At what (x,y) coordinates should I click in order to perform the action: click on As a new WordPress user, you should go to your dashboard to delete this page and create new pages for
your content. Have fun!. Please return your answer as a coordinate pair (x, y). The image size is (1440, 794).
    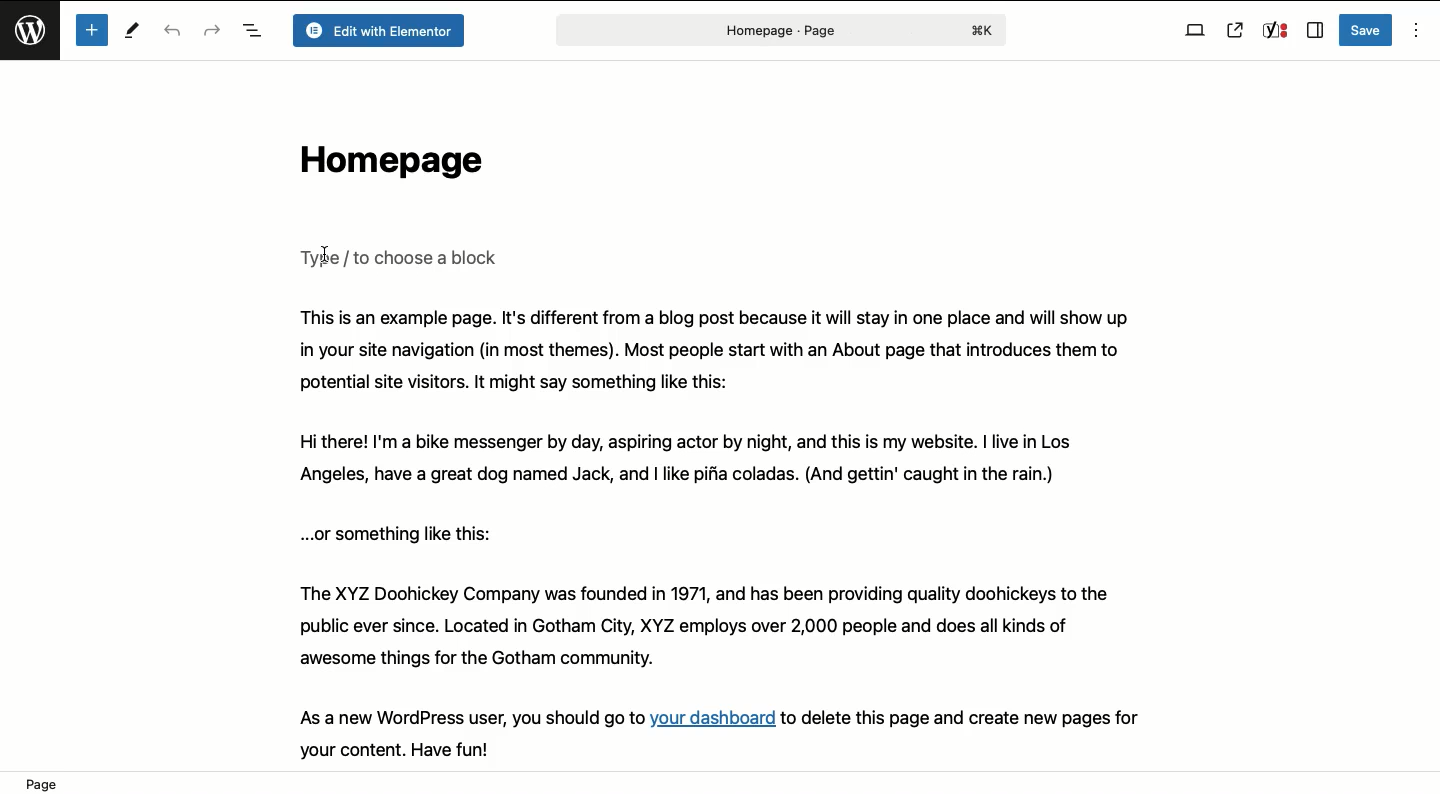
    Looking at the image, I should click on (742, 732).